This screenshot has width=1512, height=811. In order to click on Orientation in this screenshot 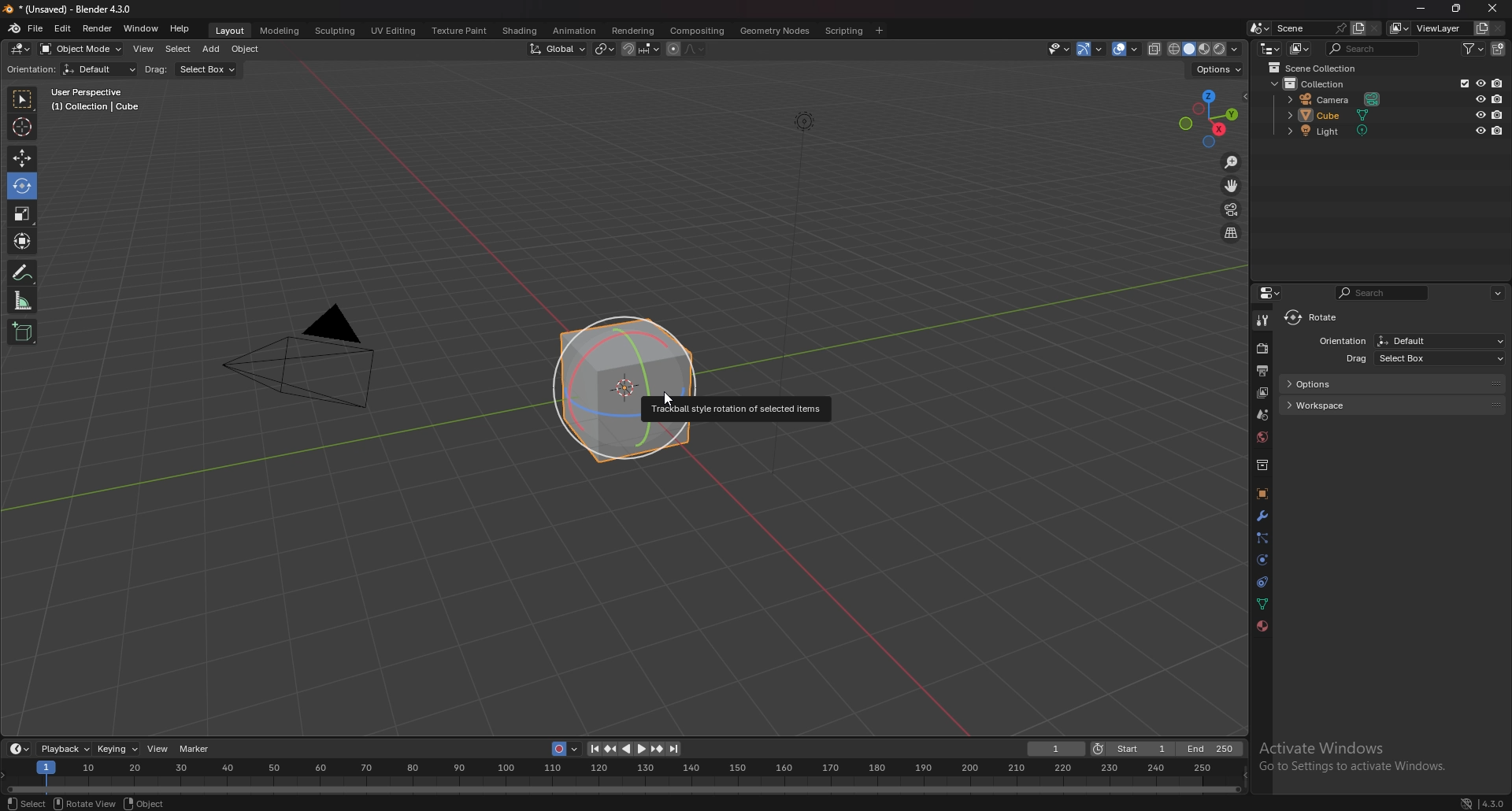, I will do `click(1341, 340)`.